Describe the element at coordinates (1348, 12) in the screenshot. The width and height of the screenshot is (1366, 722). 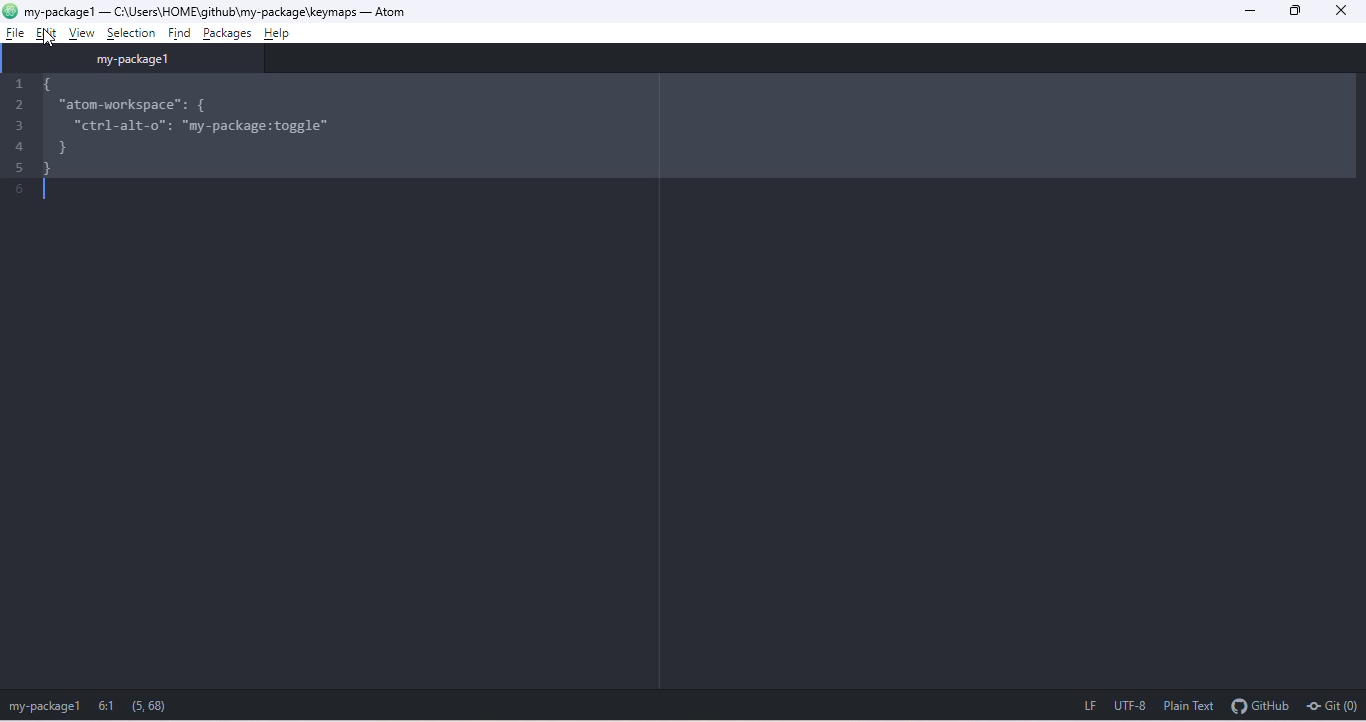
I see `close` at that location.